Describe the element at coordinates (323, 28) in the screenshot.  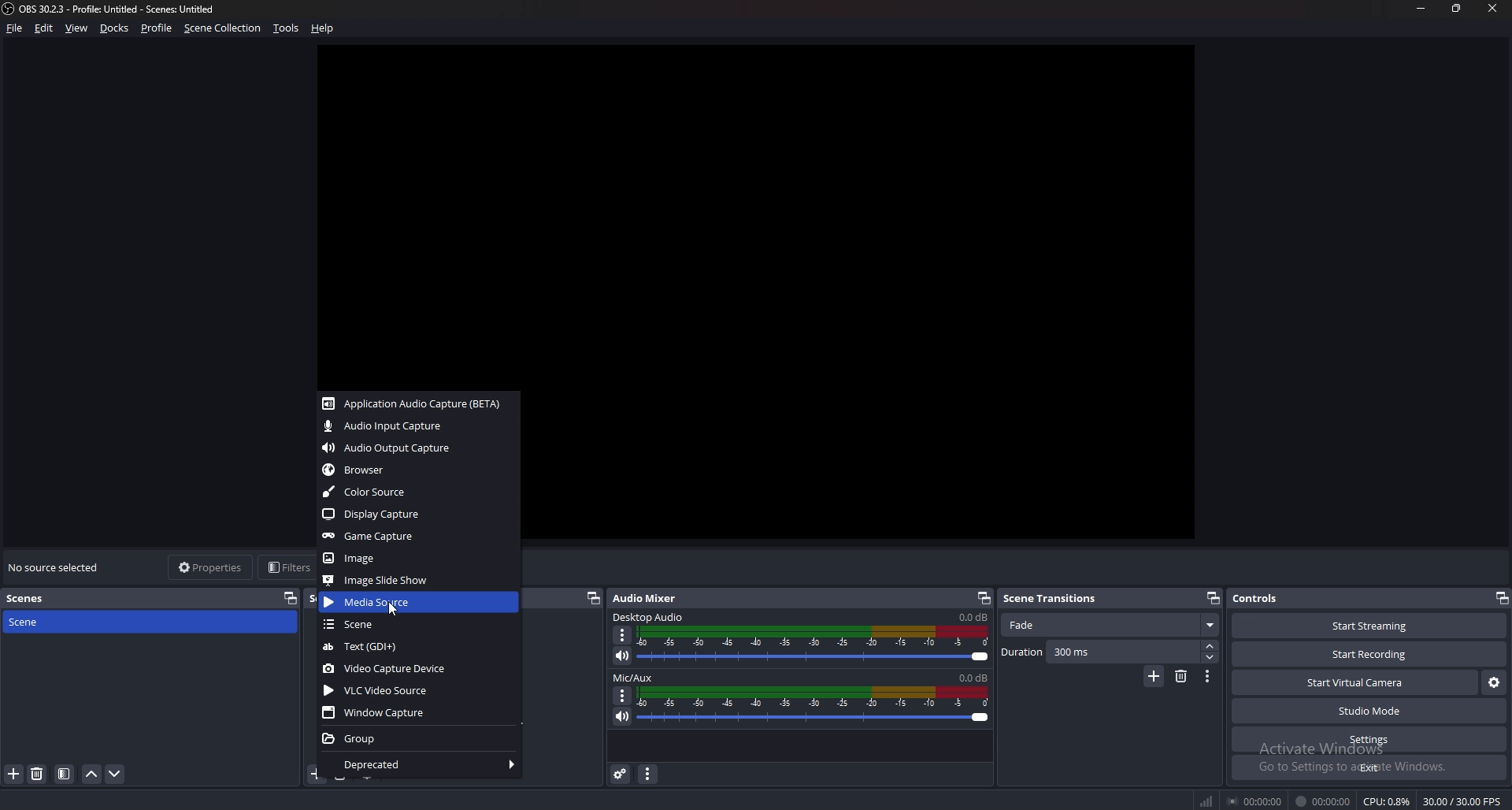
I see `help` at that location.